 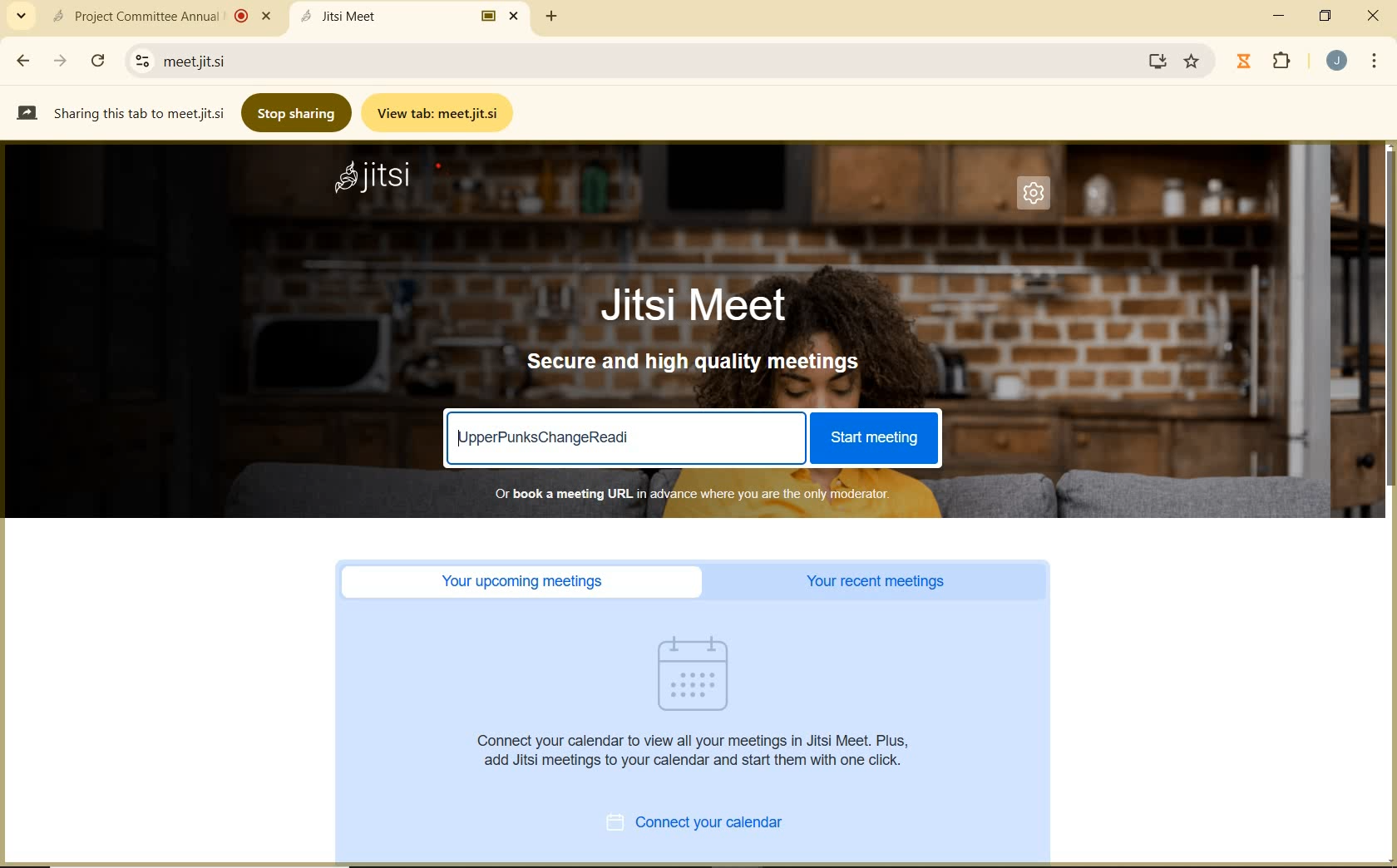 What do you see at coordinates (1193, 62) in the screenshot?
I see `bookmark` at bounding box center [1193, 62].